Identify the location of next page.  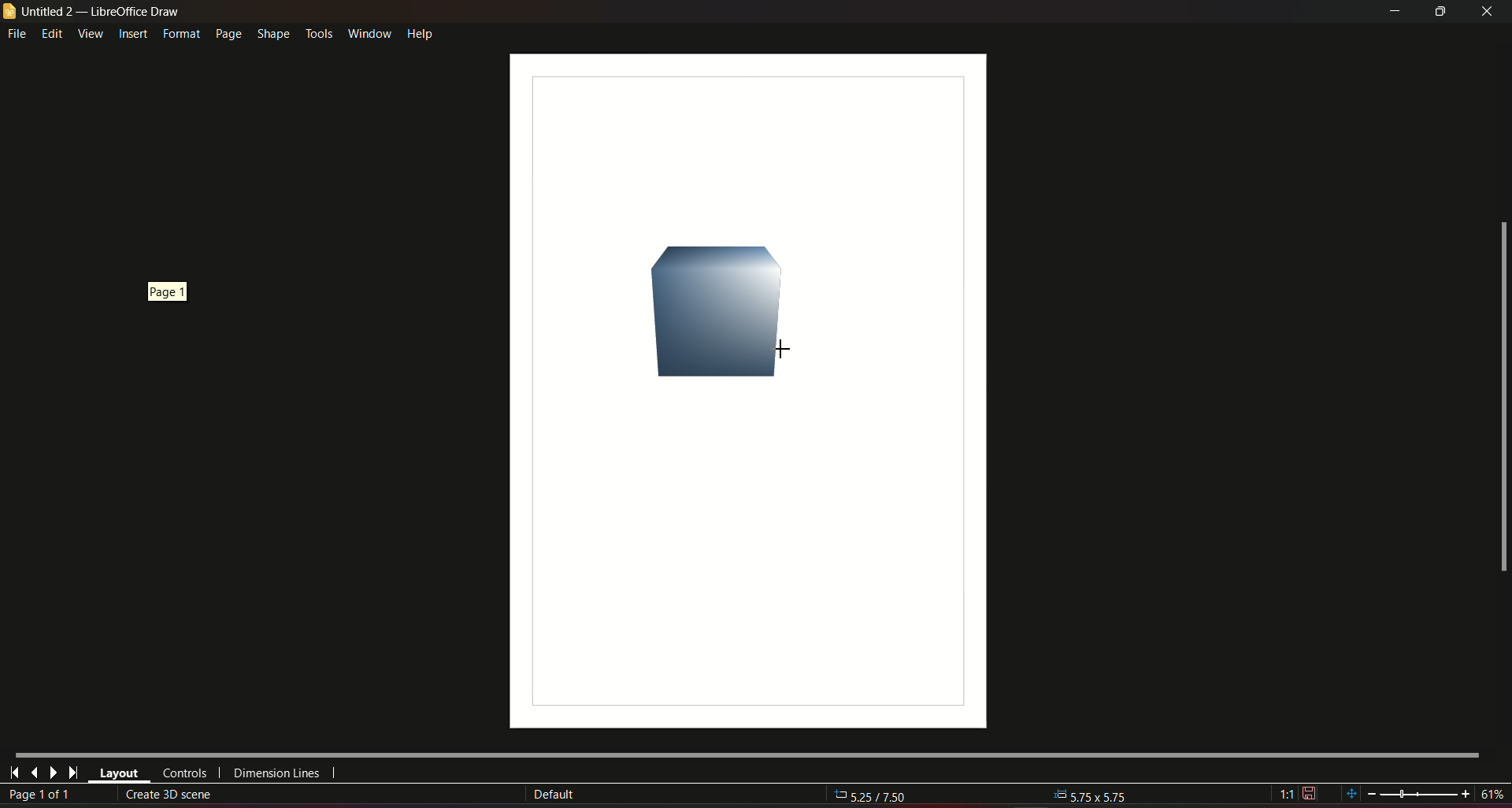
(53, 773).